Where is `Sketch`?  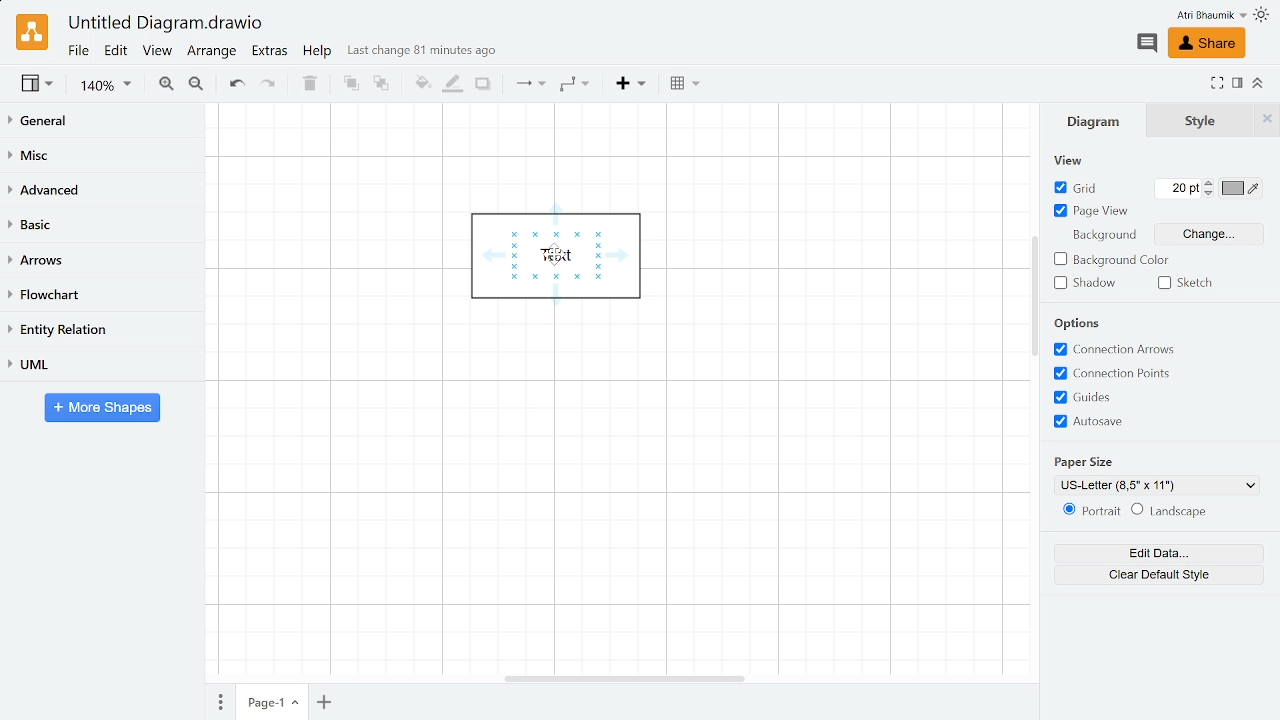
Sketch is located at coordinates (1190, 284).